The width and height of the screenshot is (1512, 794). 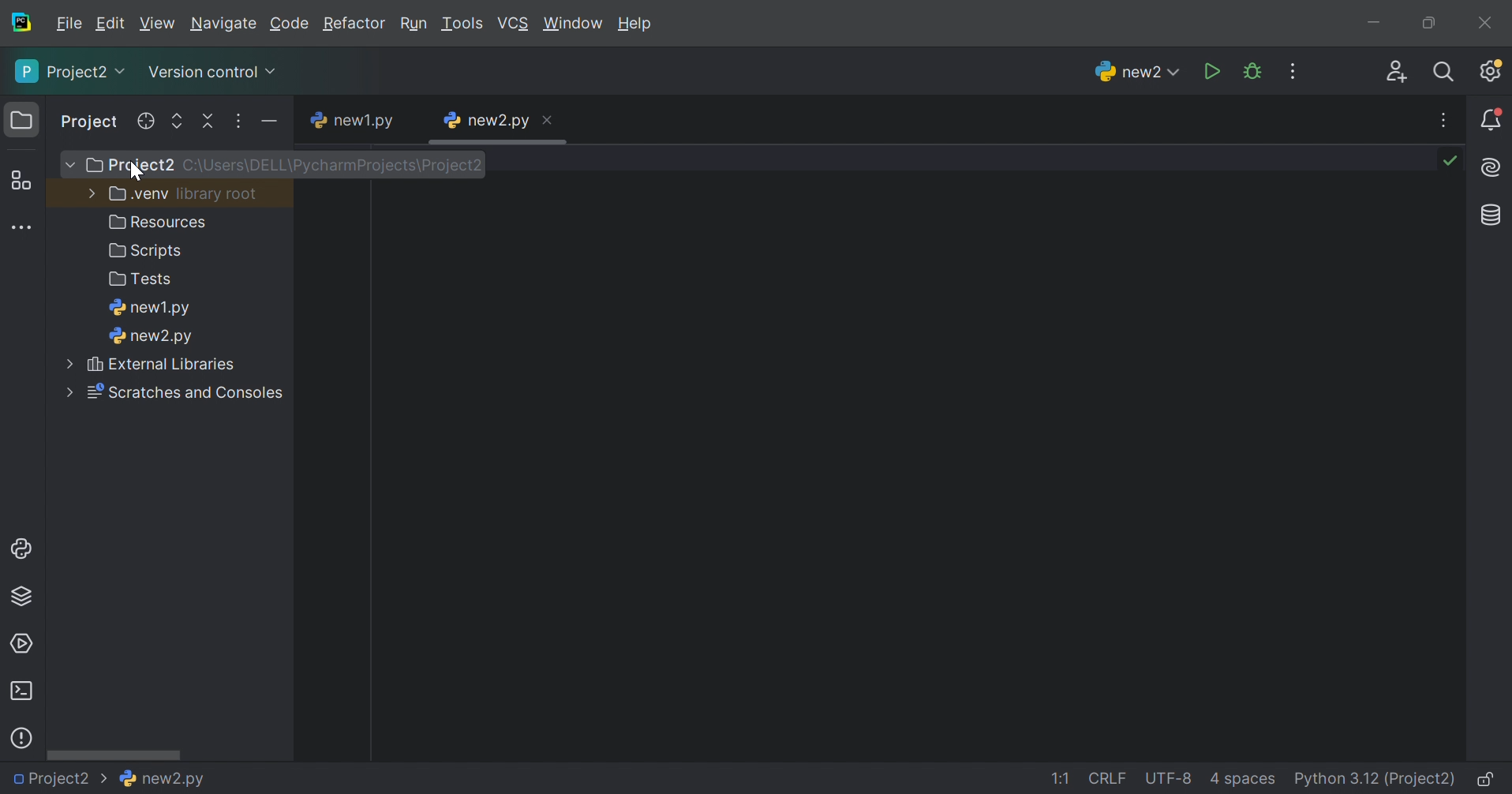 I want to click on More, so click(x=65, y=394).